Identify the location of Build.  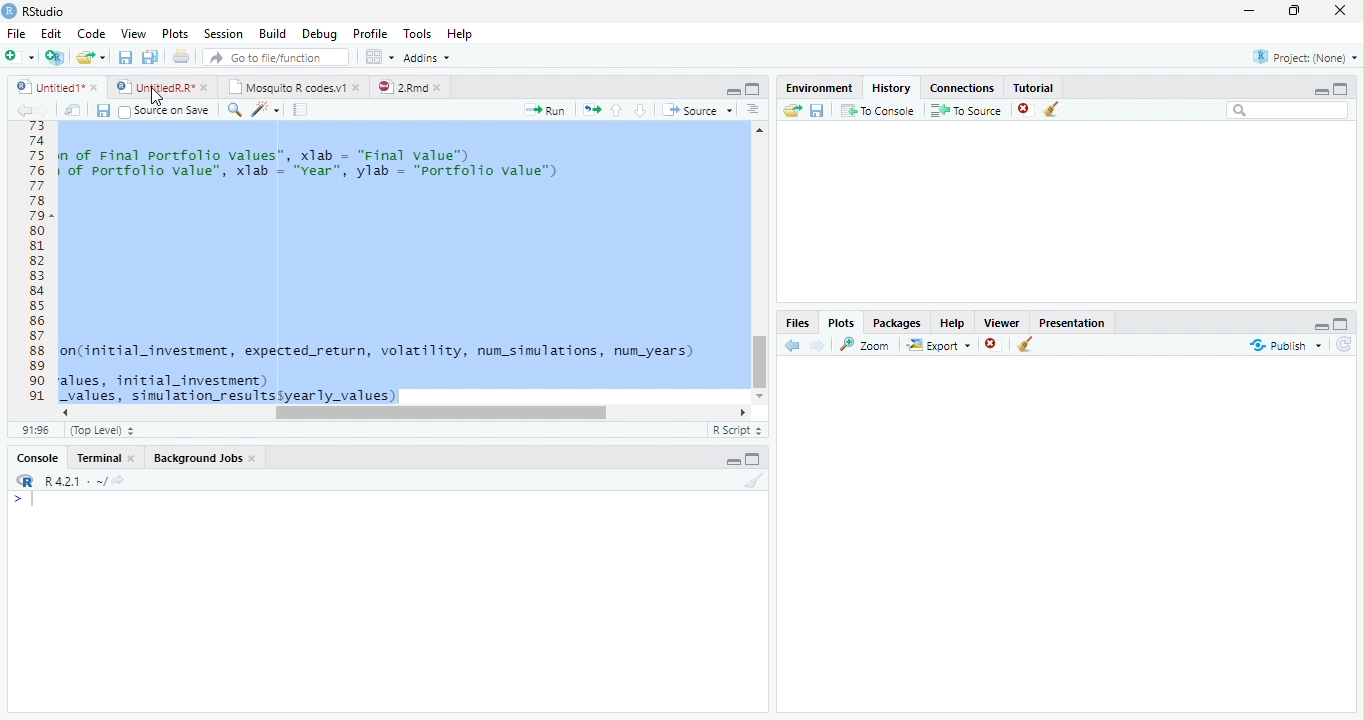
(273, 34).